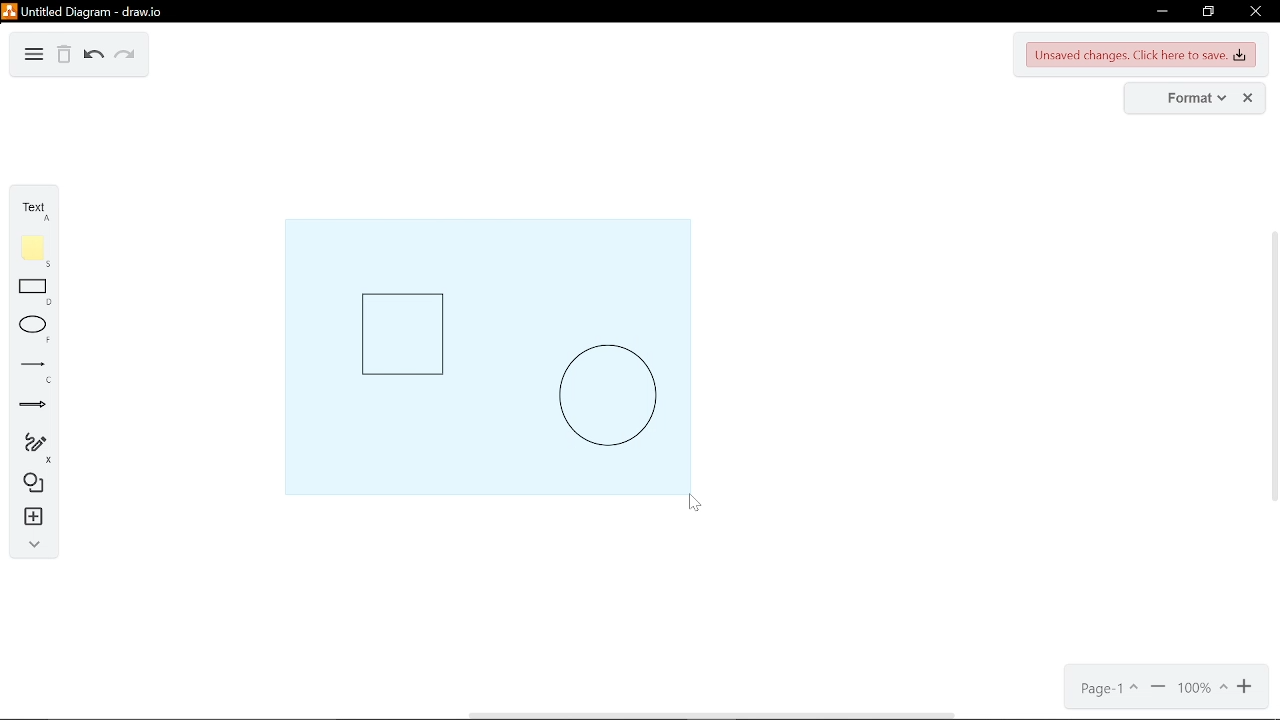 The height and width of the screenshot is (720, 1280). What do you see at coordinates (1207, 13) in the screenshot?
I see `restore down` at bounding box center [1207, 13].